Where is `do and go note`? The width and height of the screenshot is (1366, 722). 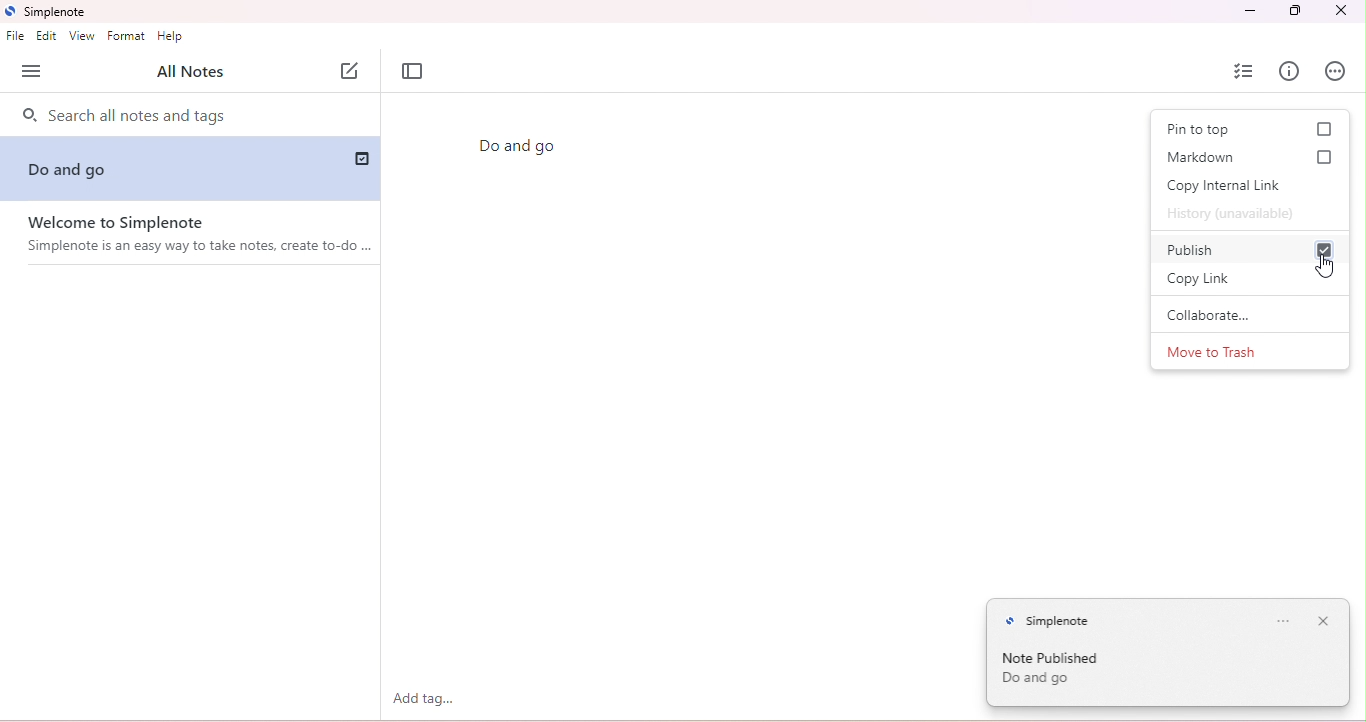
do and go note is located at coordinates (91, 168).